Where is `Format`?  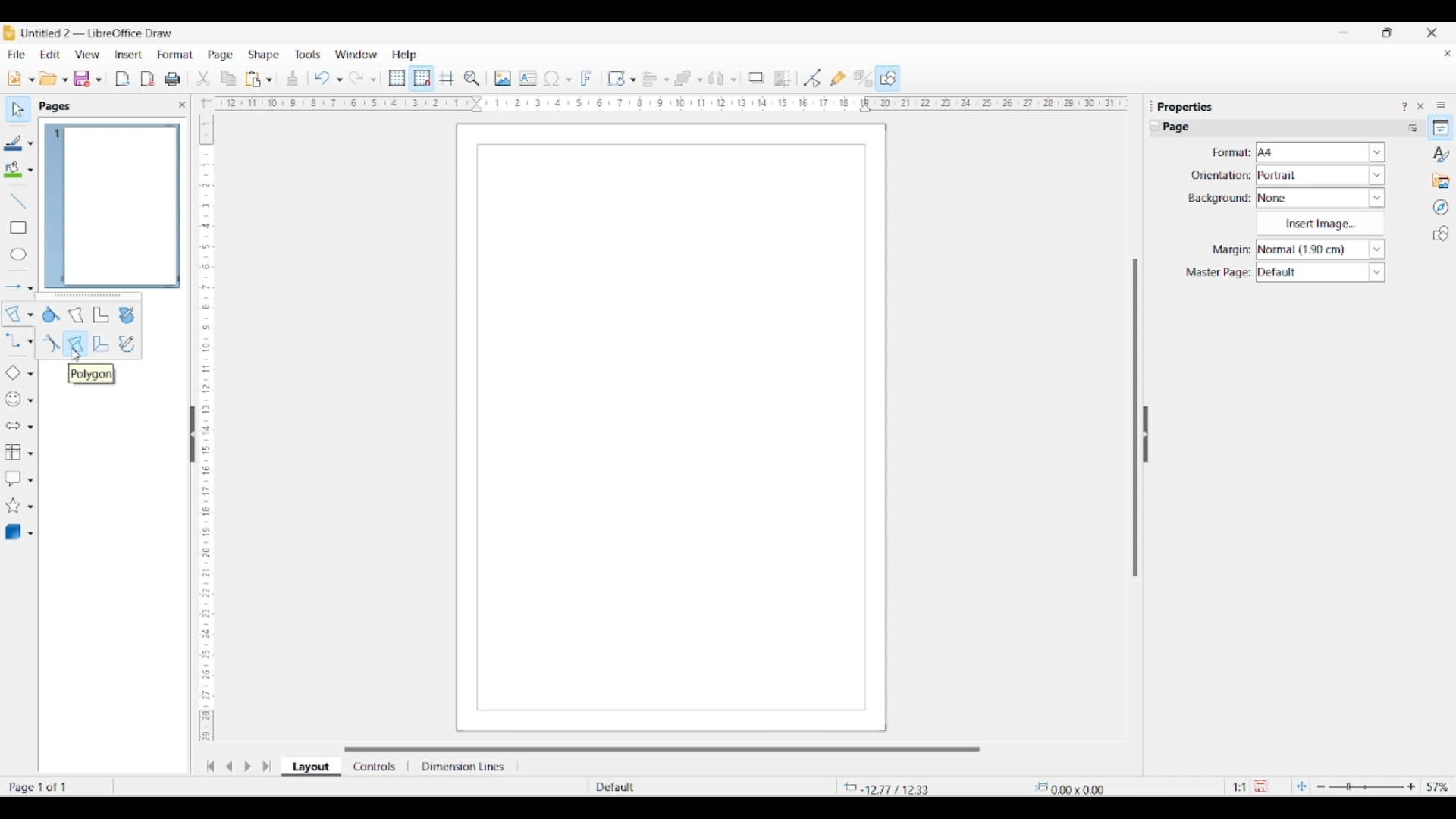 Format is located at coordinates (176, 55).